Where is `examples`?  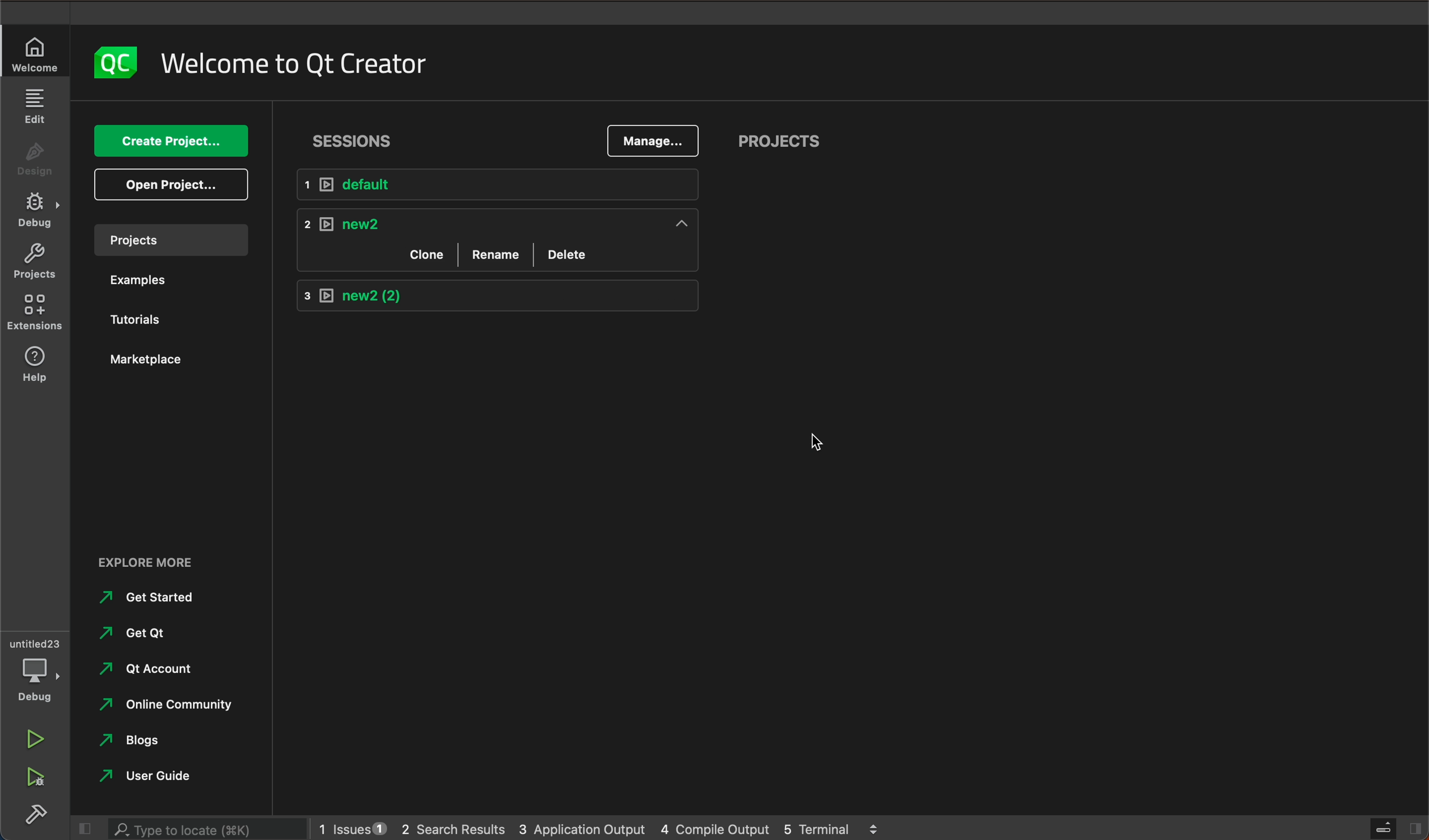 examples is located at coordinates (130, 281).